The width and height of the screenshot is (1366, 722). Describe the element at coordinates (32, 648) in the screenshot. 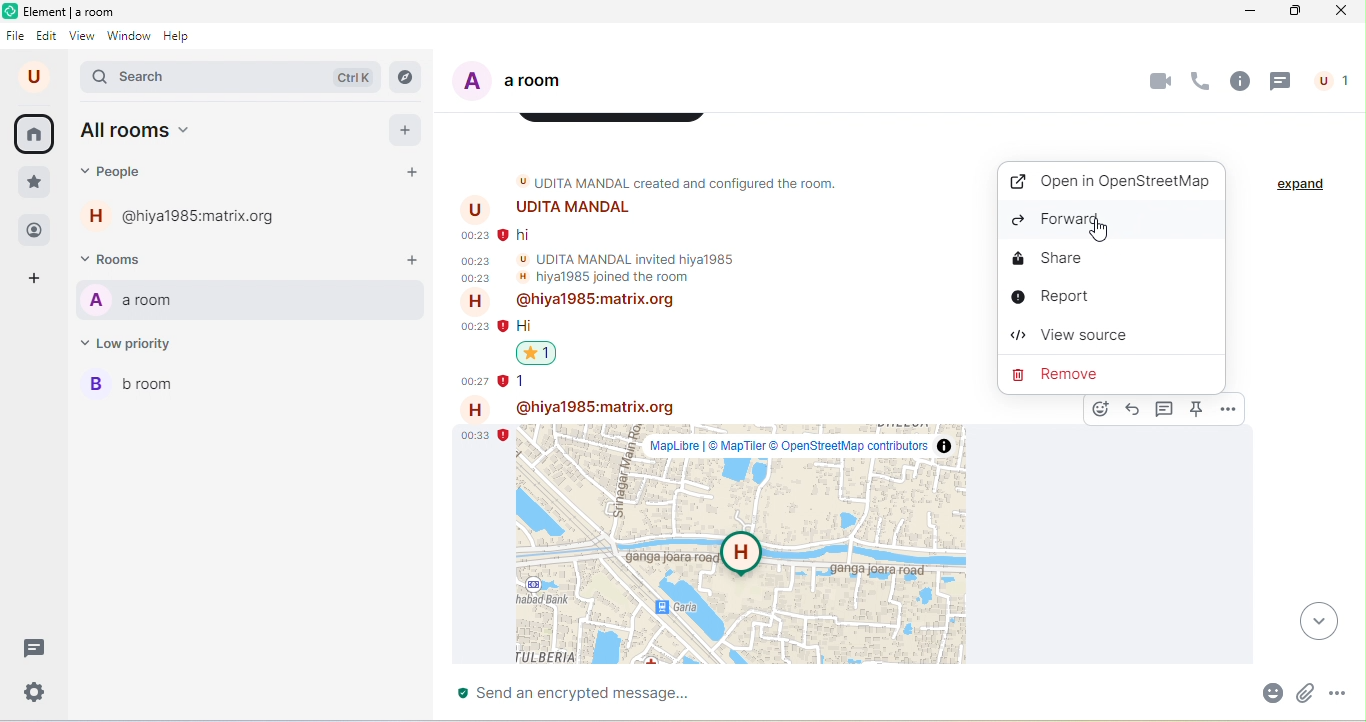

I see `threads` at that location.